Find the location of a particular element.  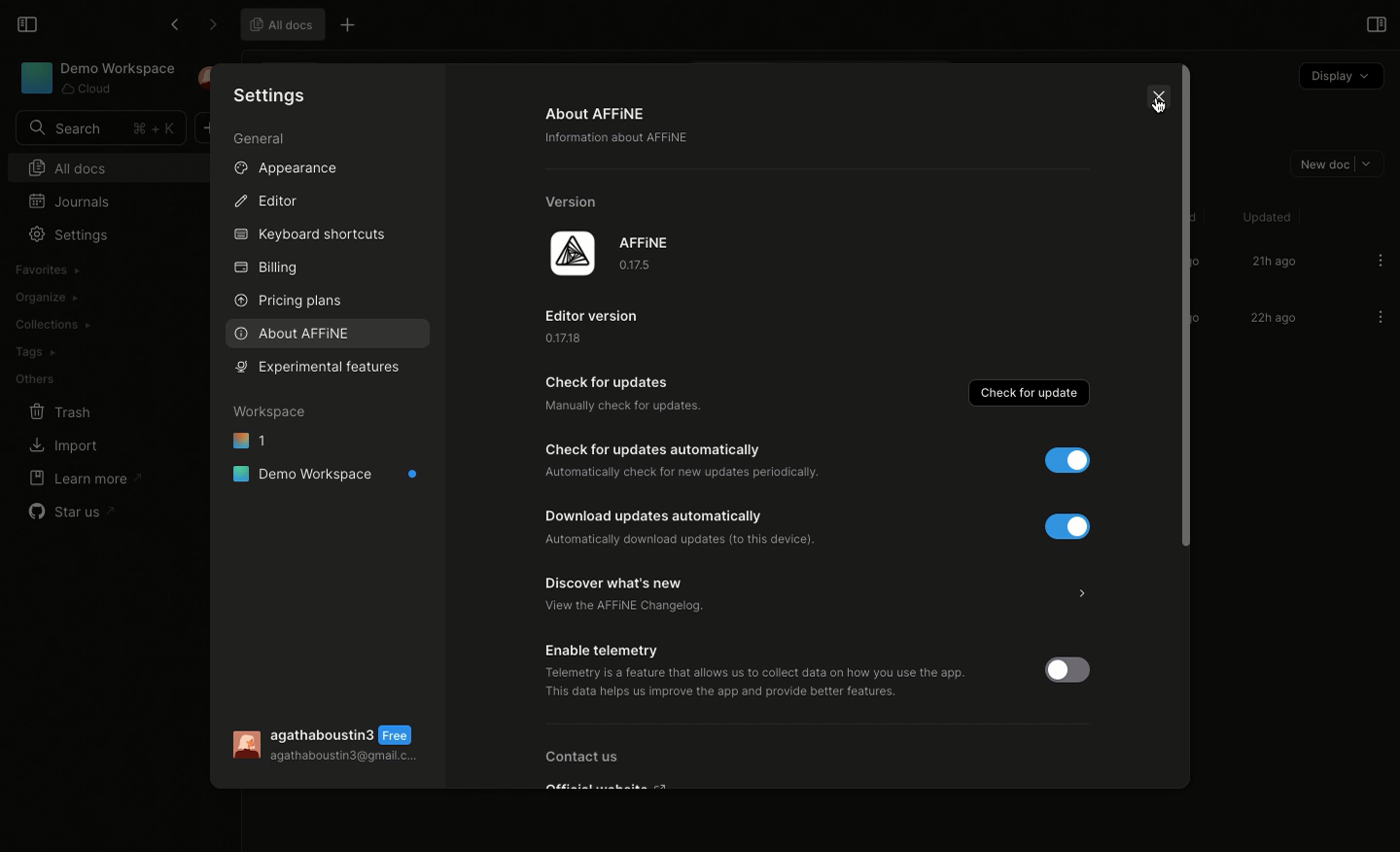

Workspace is located at coordinates (271, 410).